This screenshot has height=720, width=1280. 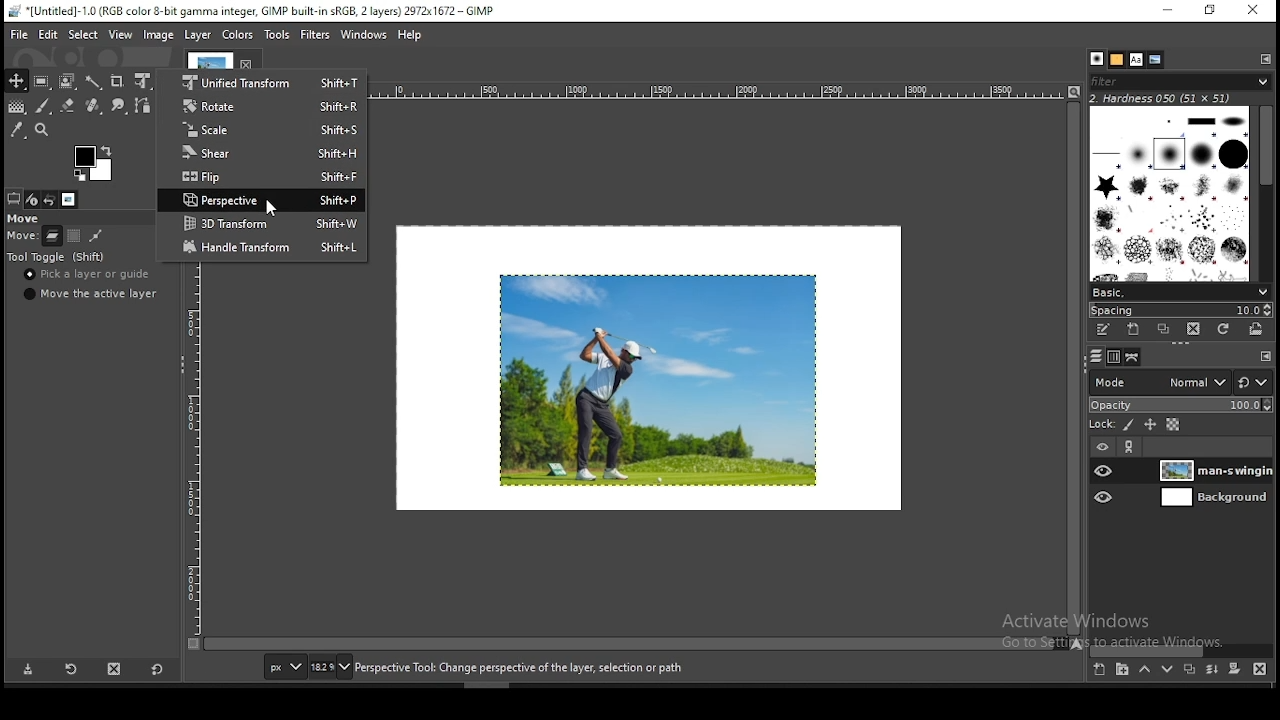 What do you see at coordinates (1212, 470) in the screenshot?
I see `layer ` at bounding box center [1212, 470].